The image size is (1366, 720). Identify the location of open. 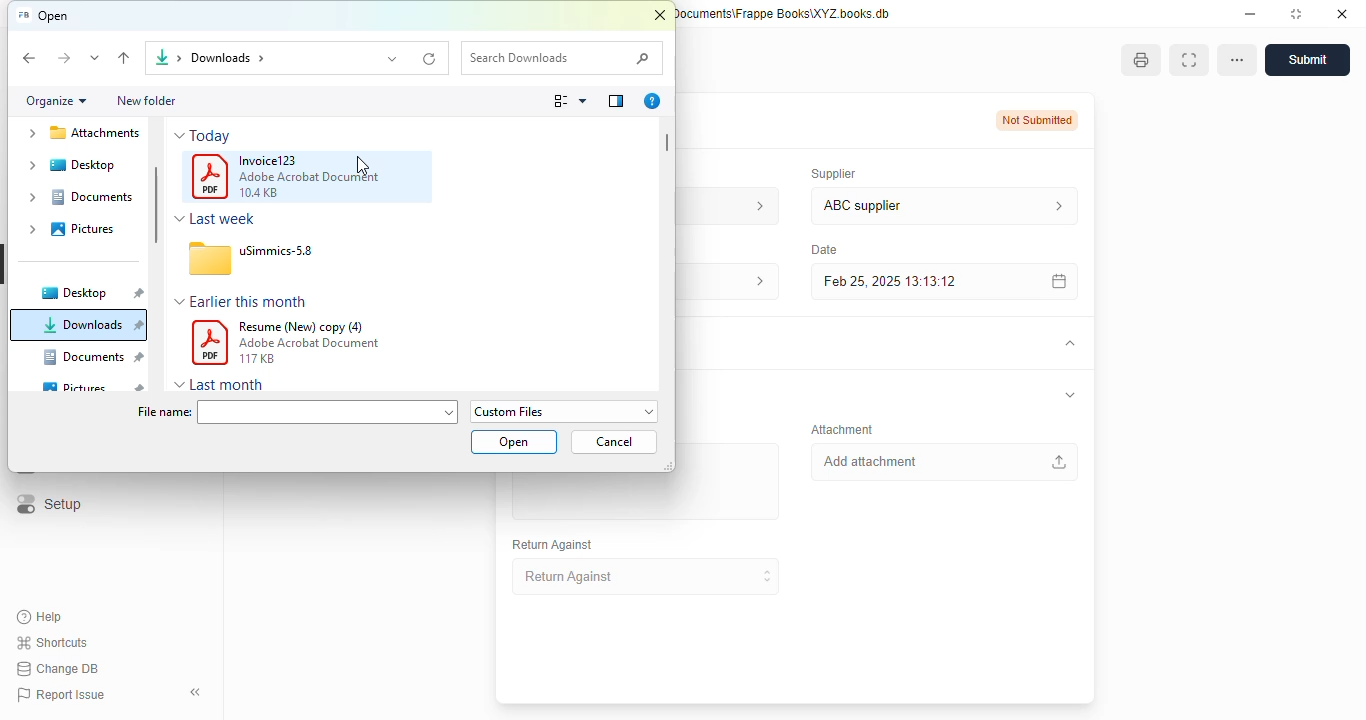
(515, 442).